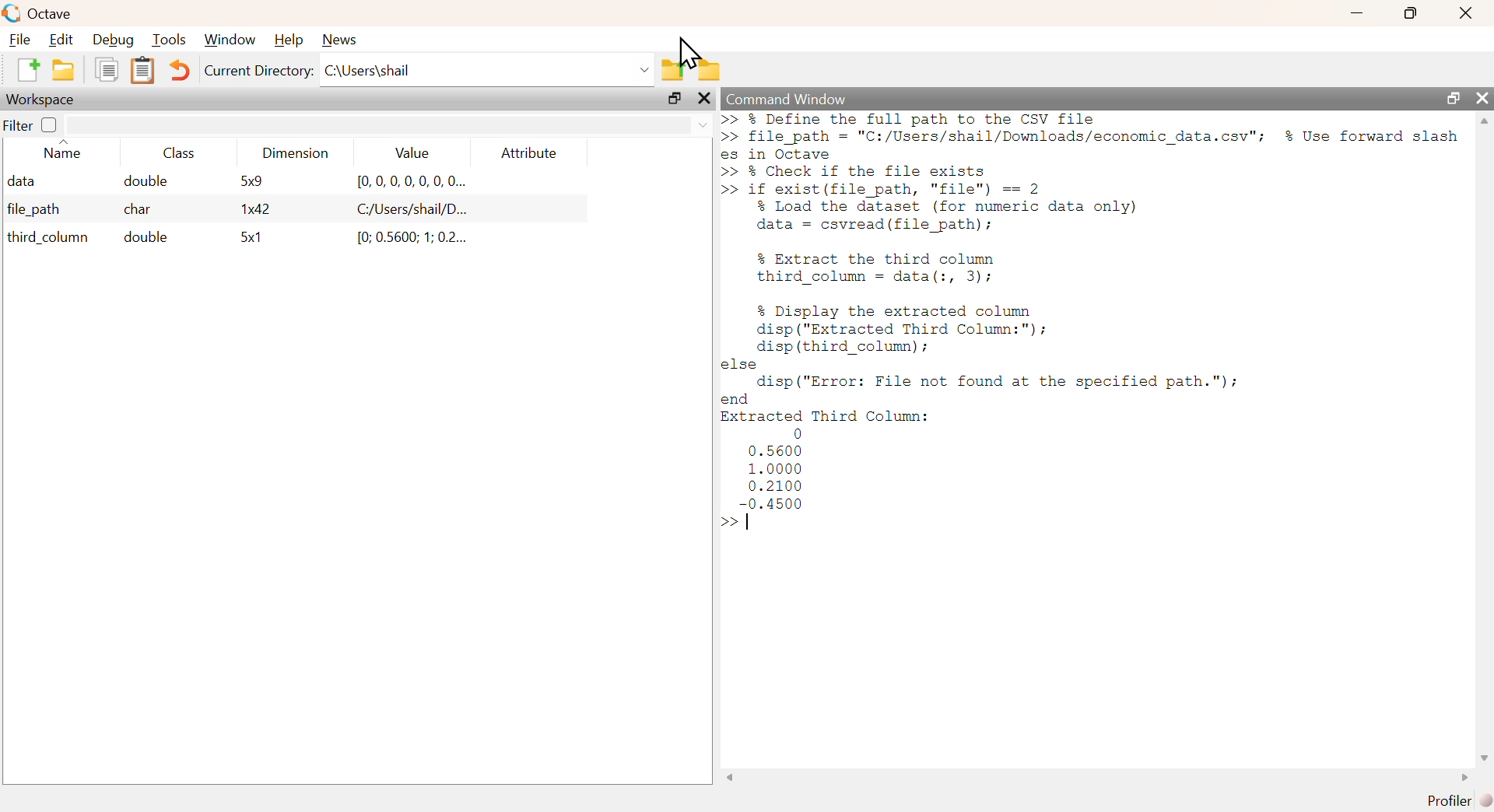 The image size is (1494, 812). What do you see at coordinates (741, 523) in the screenshot?
I see `typing cursor` at bounding box center [741, 523].